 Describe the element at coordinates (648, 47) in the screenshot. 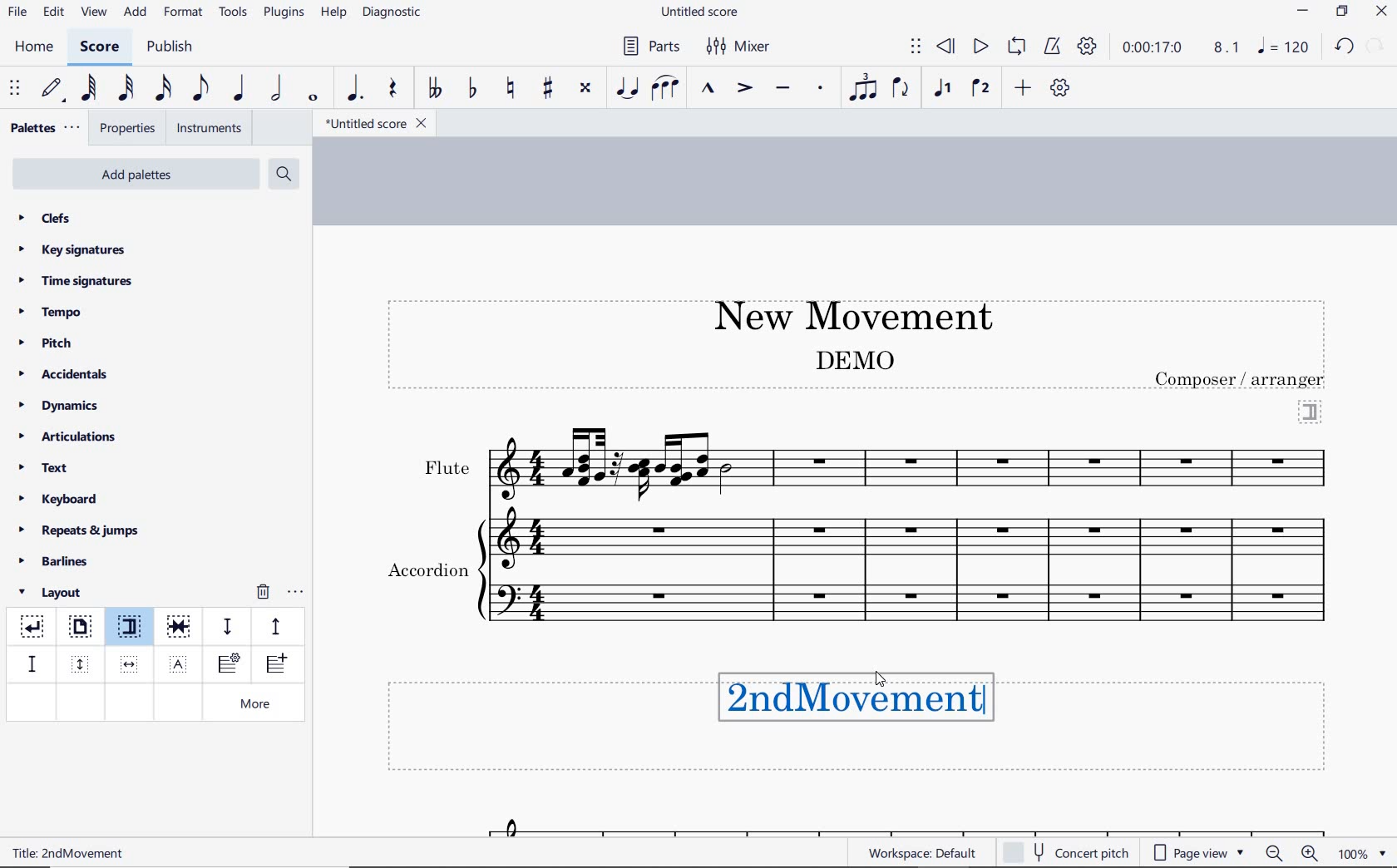

I see `Parts` at that location.